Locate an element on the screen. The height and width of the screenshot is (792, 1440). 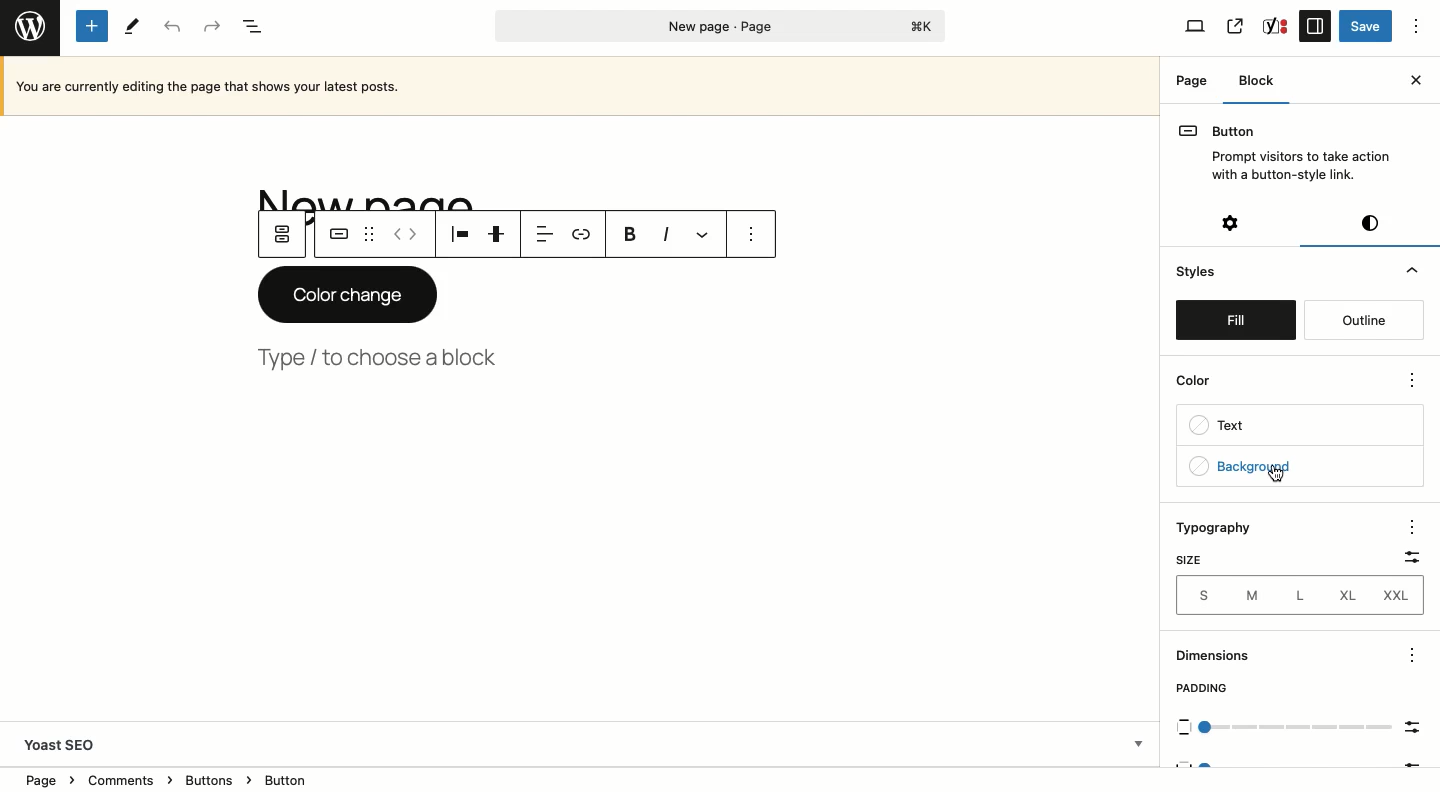
Link is located at coordinates (581, 234).